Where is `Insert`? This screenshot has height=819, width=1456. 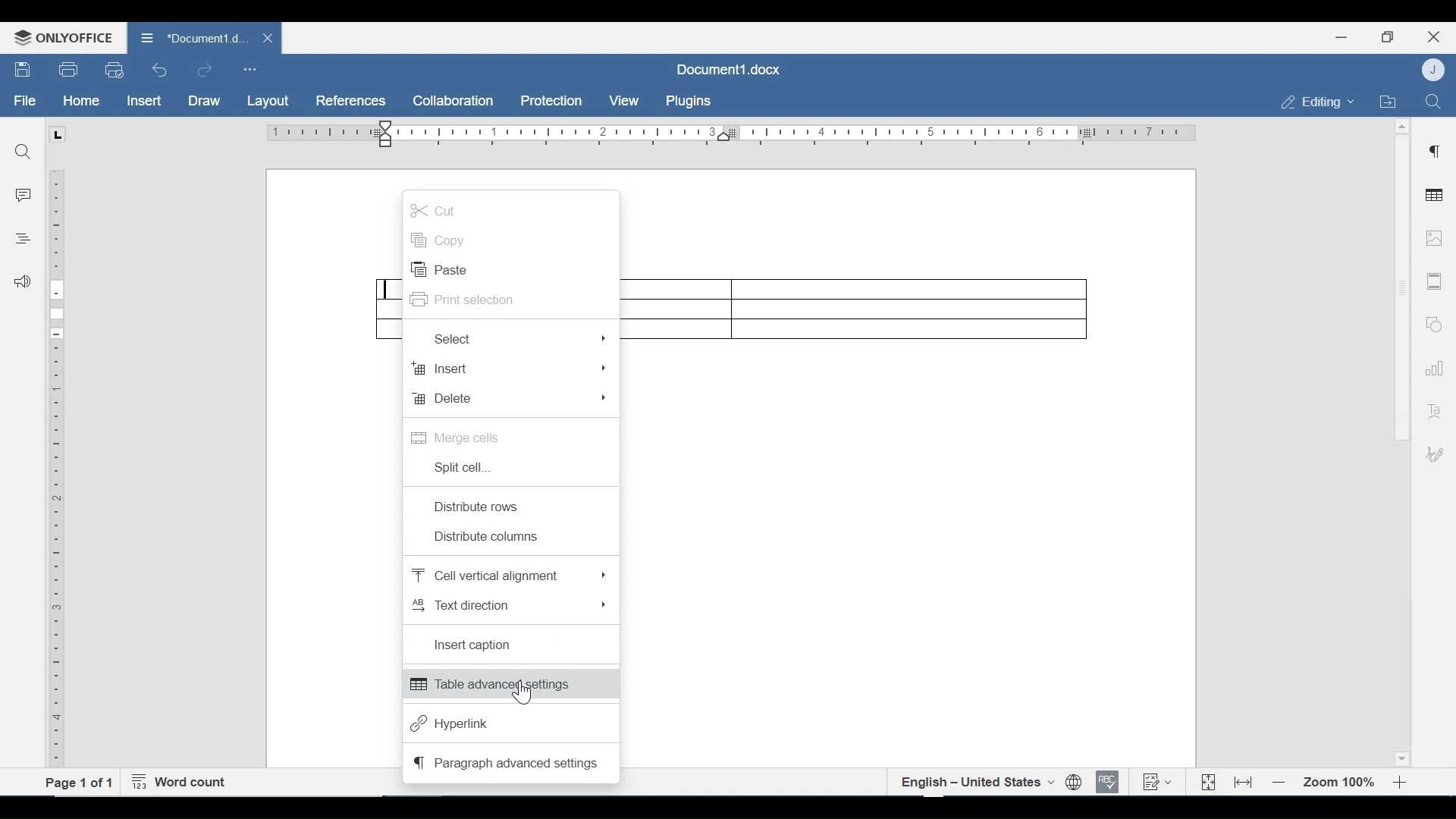
Insert is located at coordinates (143, 101).